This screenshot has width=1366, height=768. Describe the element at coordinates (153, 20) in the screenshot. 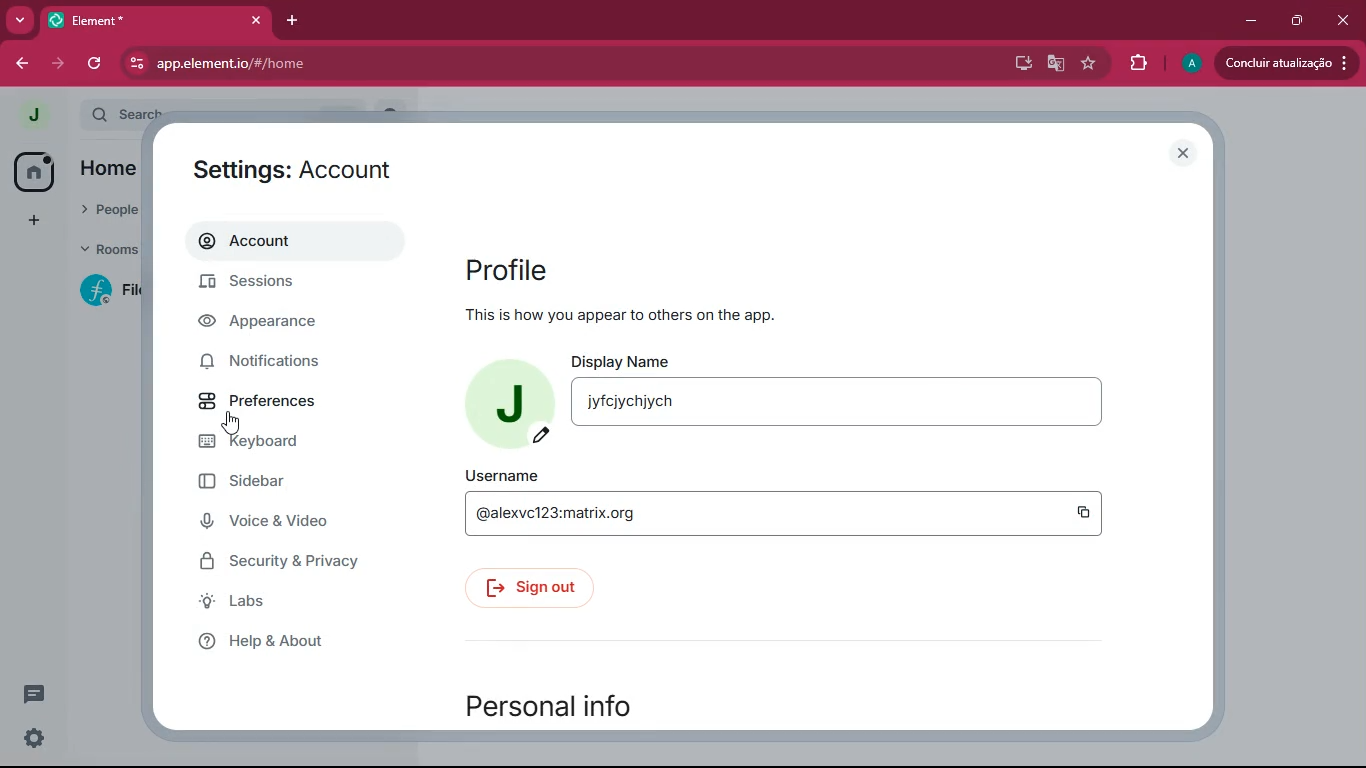

I see `tab` at that location.